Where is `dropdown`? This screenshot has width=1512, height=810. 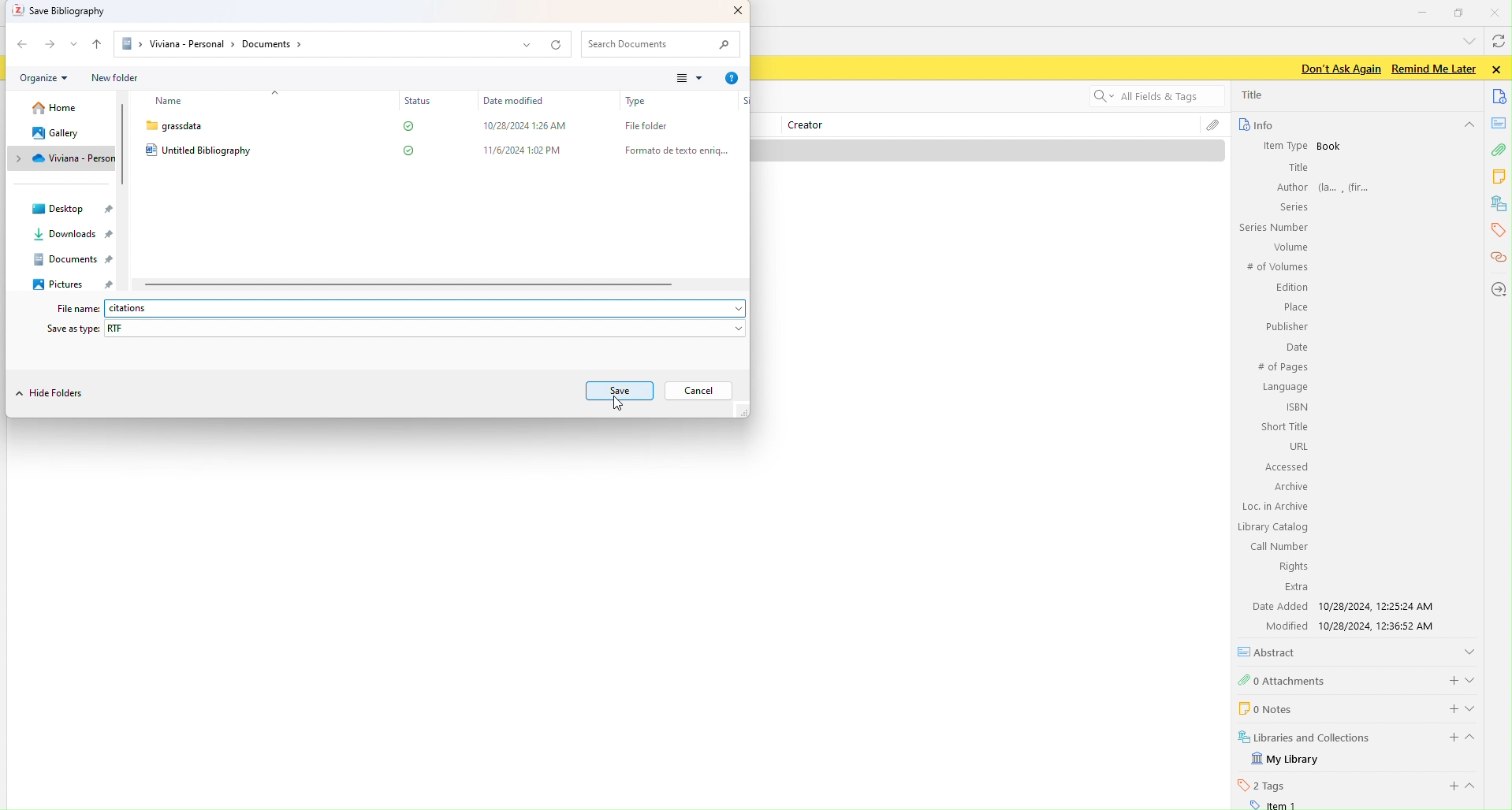 dropdown is located at coordinates (75, 43).